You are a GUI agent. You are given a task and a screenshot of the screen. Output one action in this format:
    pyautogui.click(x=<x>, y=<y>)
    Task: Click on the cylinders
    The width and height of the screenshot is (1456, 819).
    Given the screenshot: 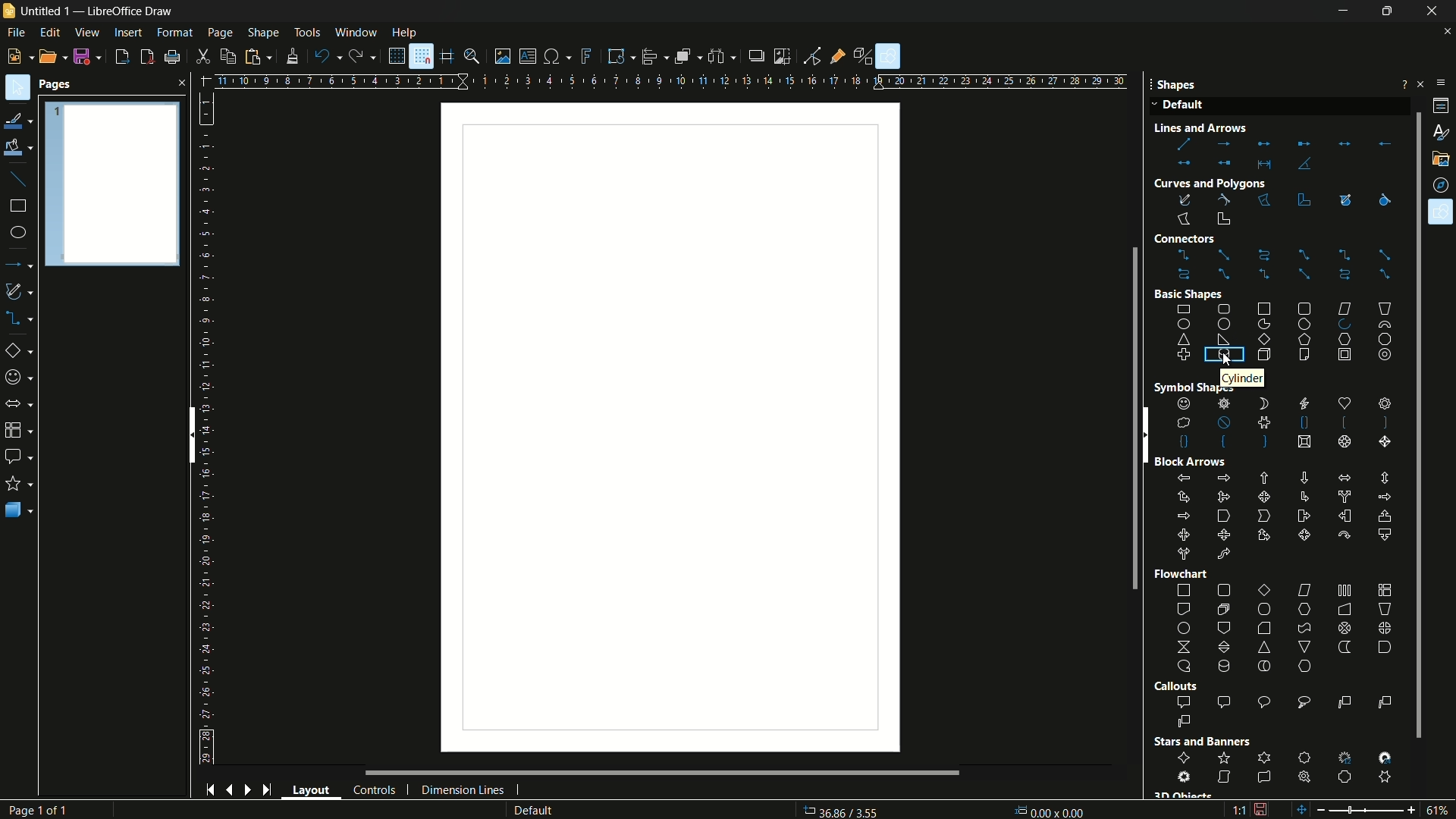 What is the action you would take?
    pyautogui.click(x=1243, y=378)
    